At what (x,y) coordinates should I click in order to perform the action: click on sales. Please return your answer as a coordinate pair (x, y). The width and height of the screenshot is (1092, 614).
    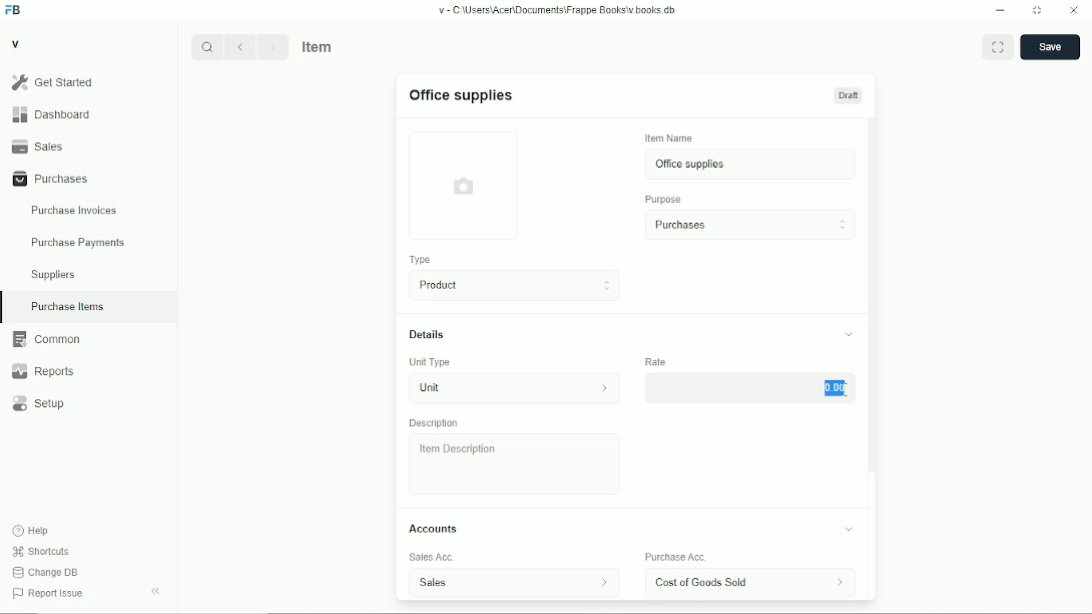
    Looking at the image, I should click on (481, 583).